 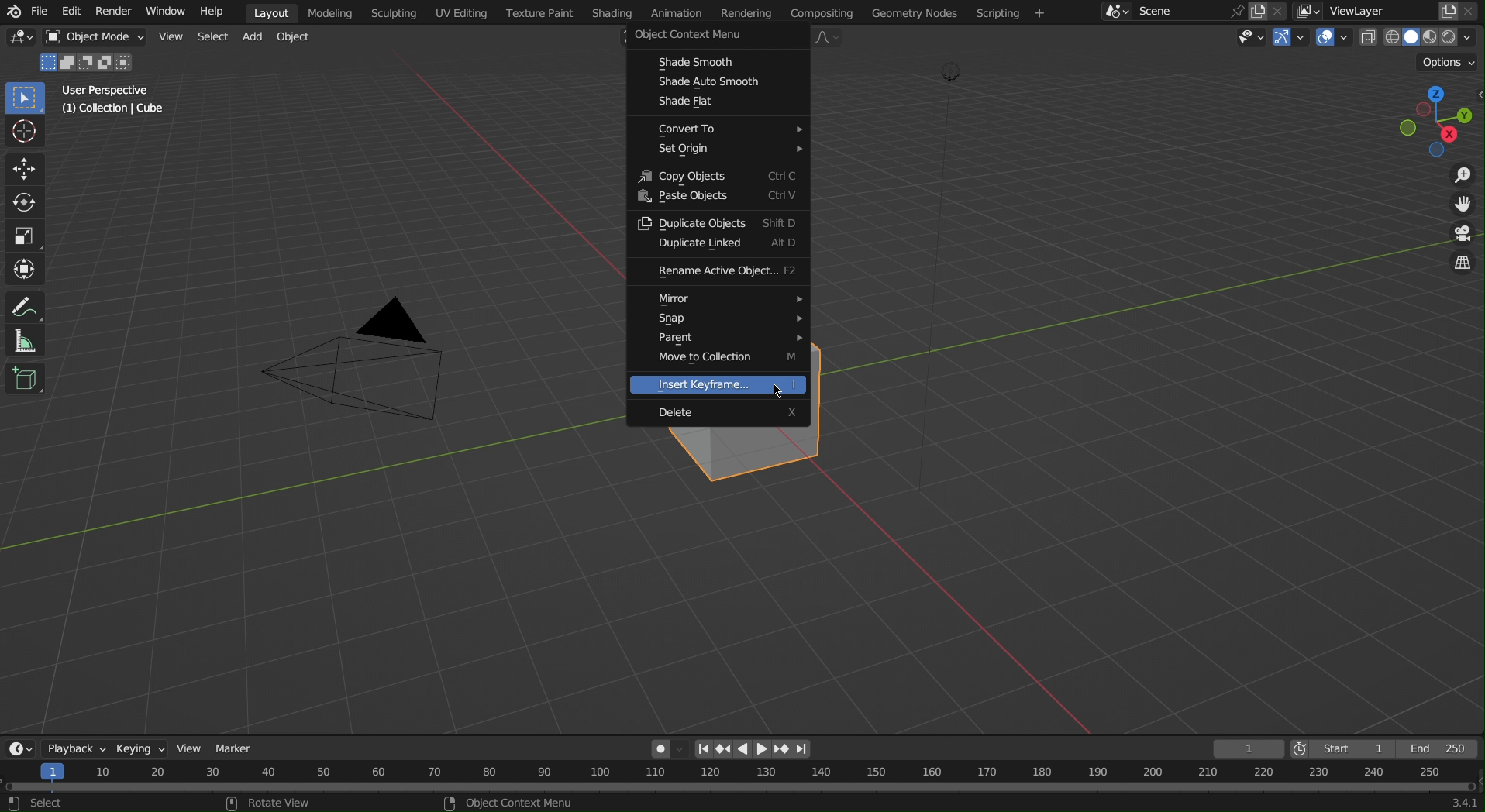 What do you see at coordinates (326, 12) in the screenshot?
I see `Modeling` at bounding box center [326, 12].